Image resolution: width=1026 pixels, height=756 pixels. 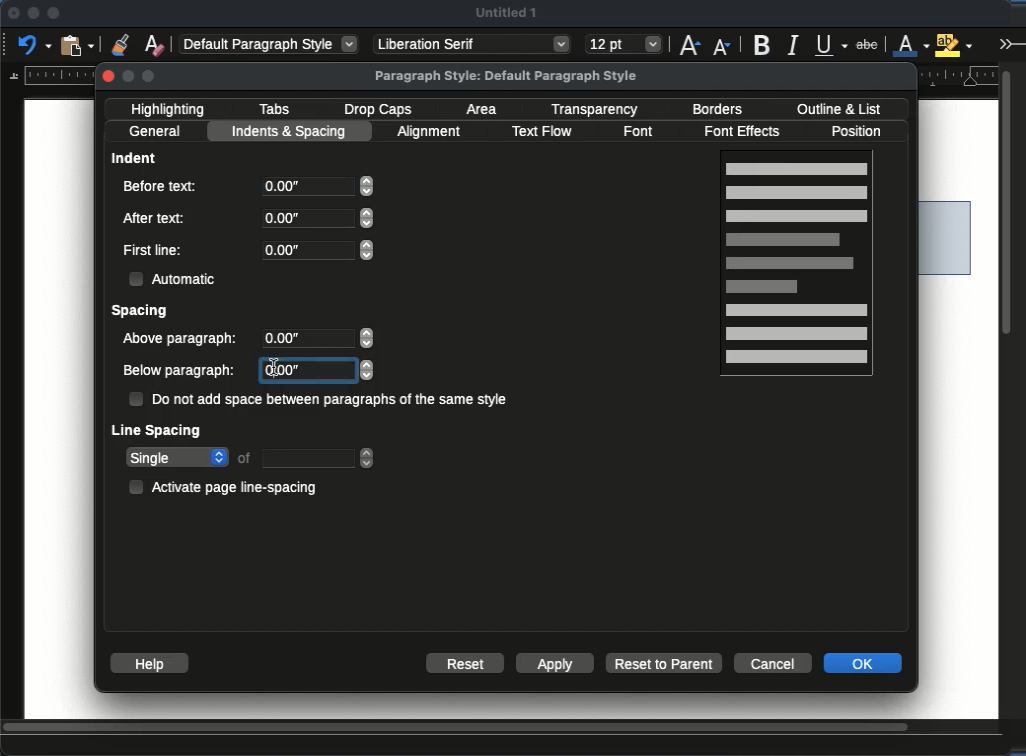 What do you see at coordinates (555, 663) in the screenshot?
I see `apply ` at bounding box center [555, 663].